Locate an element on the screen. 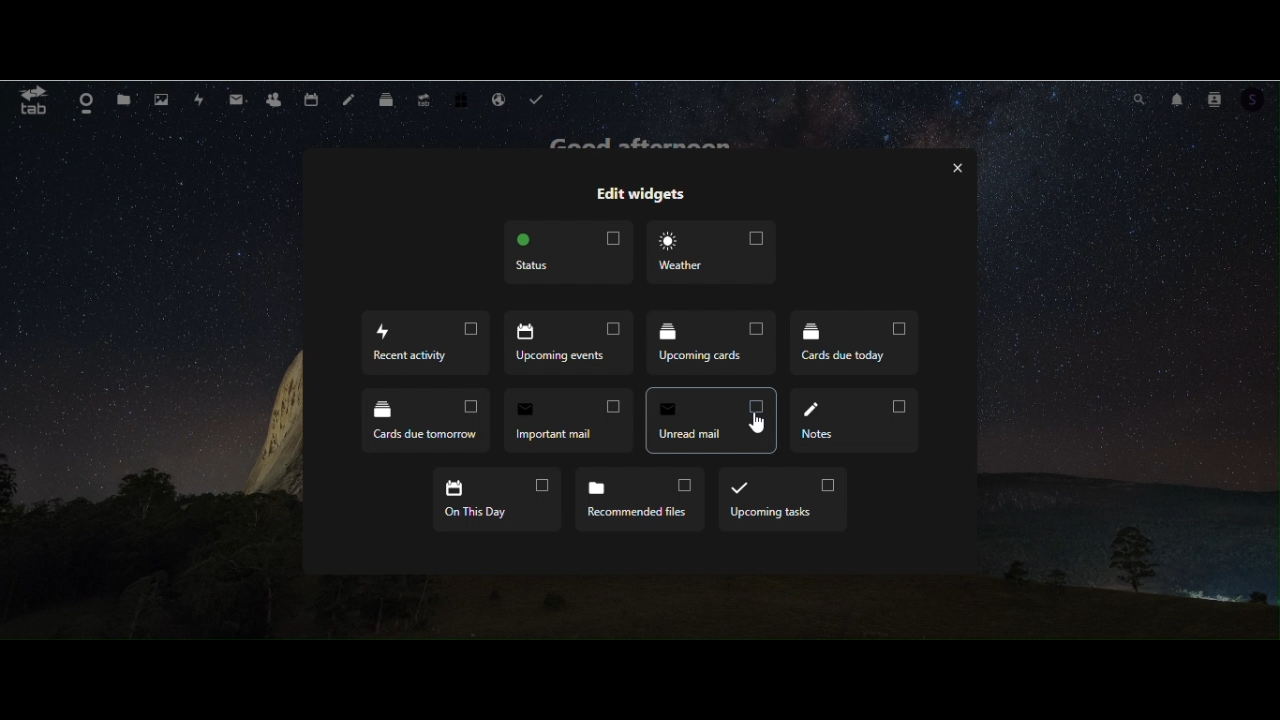 The height and width of the screenshot is (720, 1280). Notes is located at coordinates (857, 419).